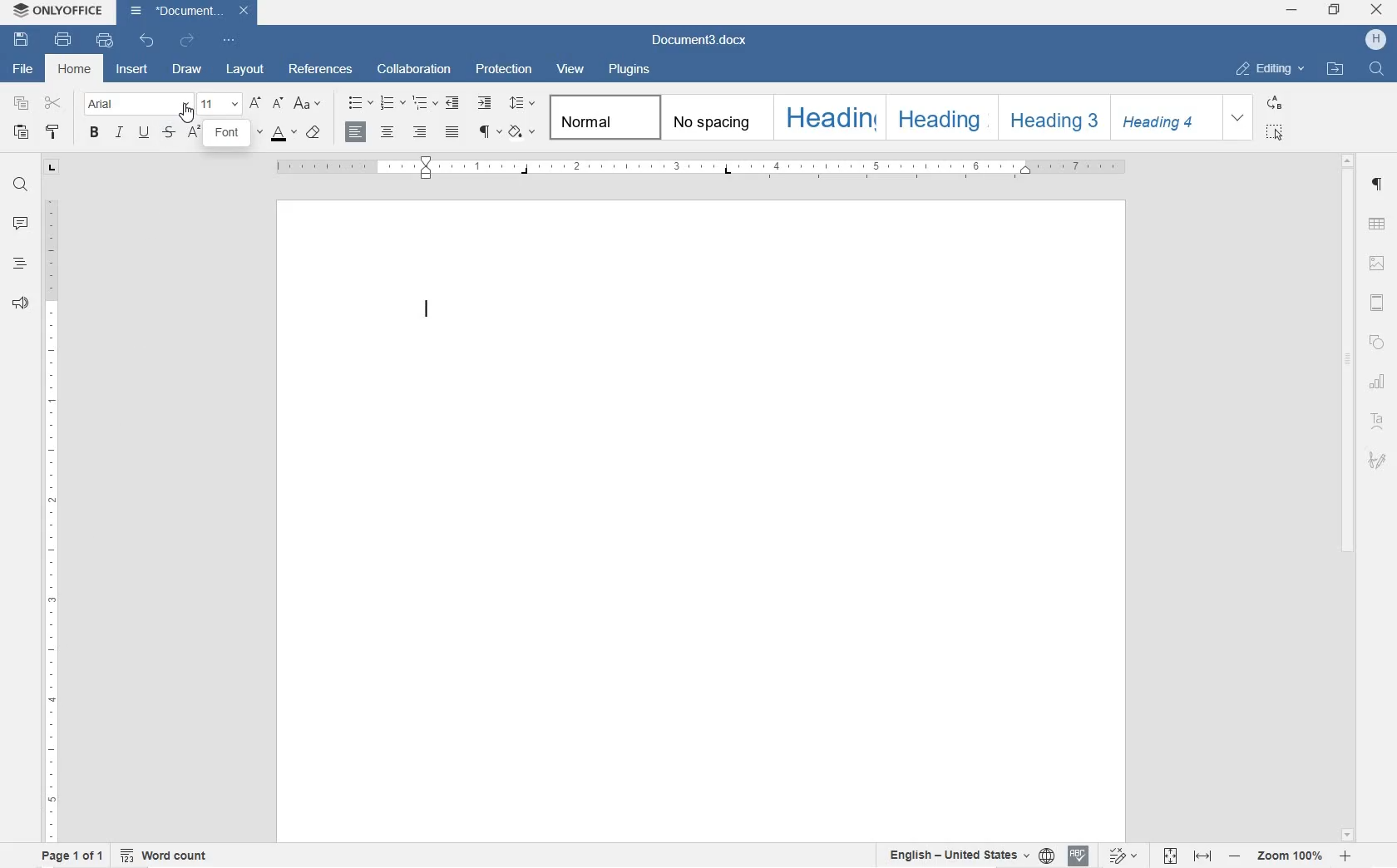 The width and height of the screenshot is (1397, 868). Describe the element at coordinates (189, 113) in the screenshot. I see `cursor` at that location.